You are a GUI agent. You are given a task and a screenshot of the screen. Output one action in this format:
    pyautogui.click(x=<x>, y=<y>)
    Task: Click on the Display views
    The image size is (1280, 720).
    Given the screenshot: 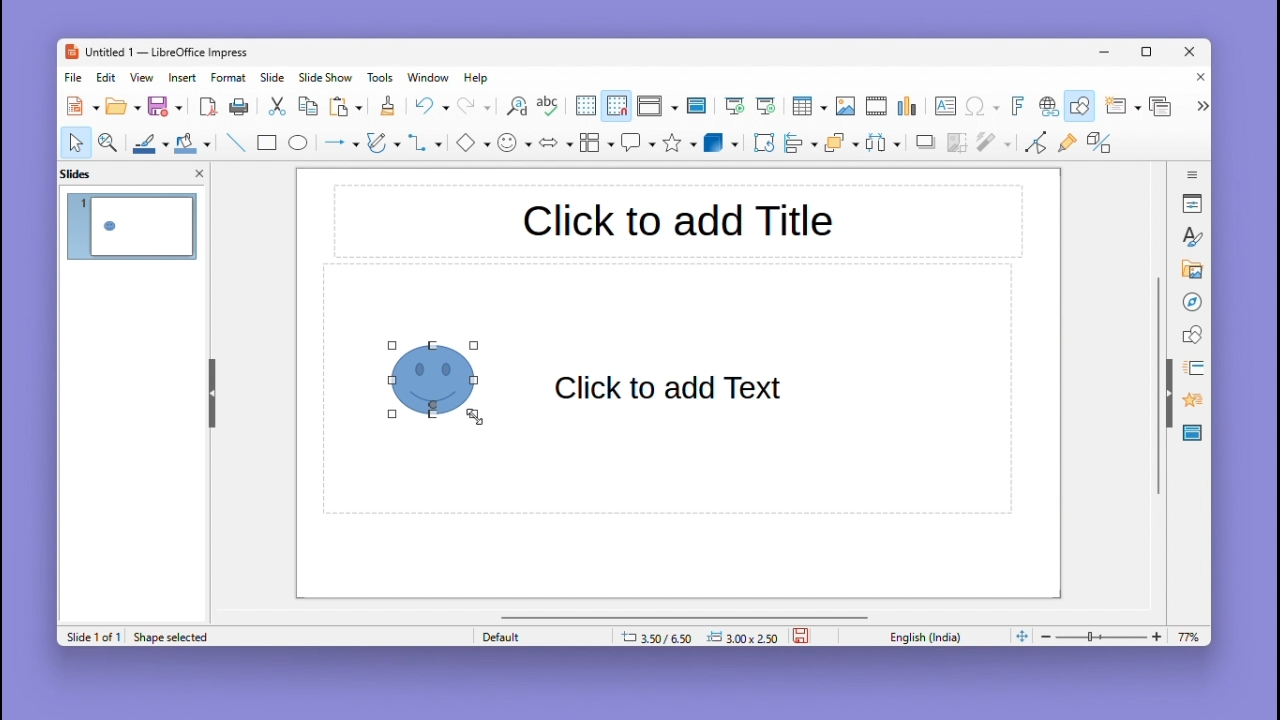 What is the action you would take?
    pyautogui.click(x=655, y=106)
    